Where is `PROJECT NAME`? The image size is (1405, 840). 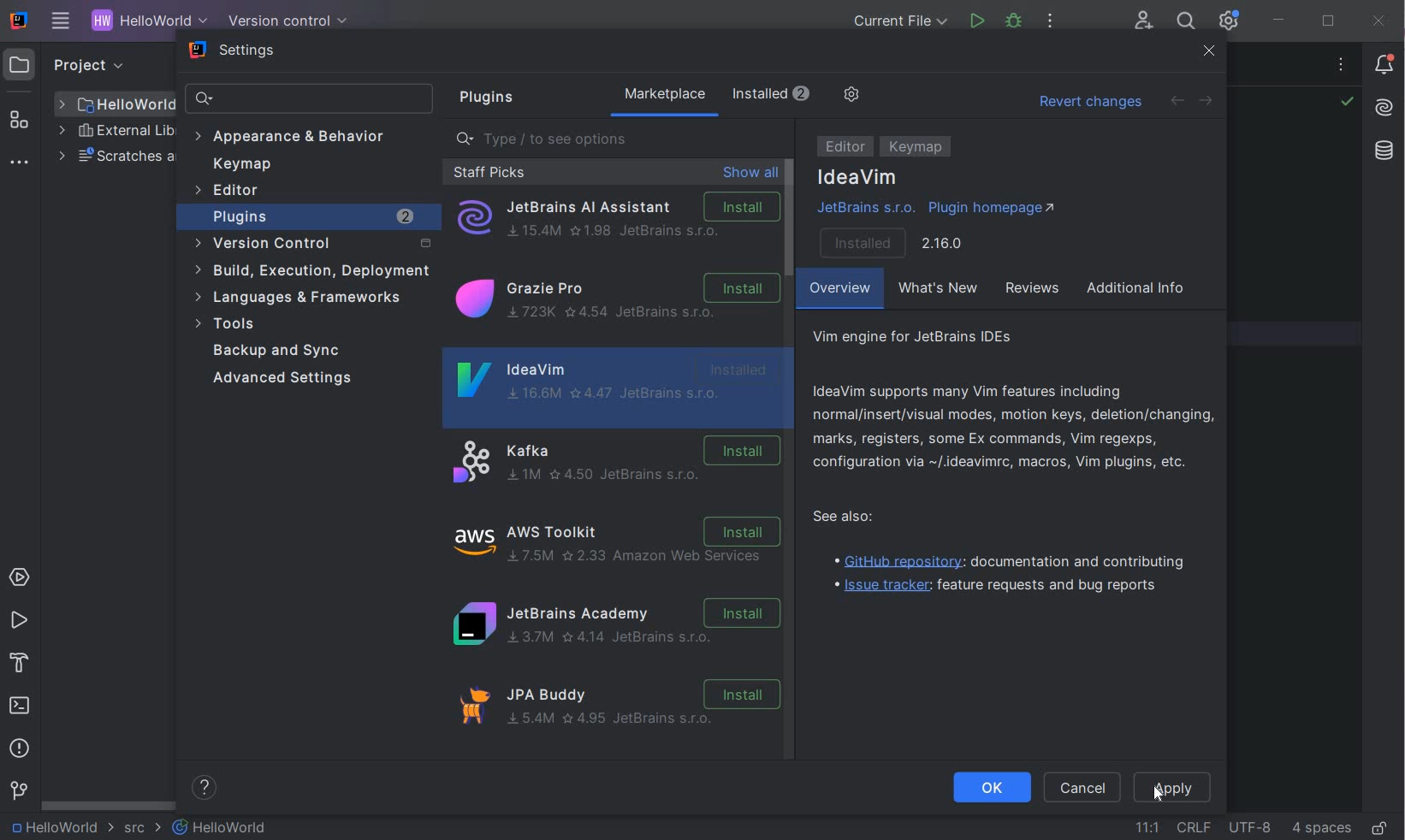
PROJECT NAME is located at coordinates (60, 828).